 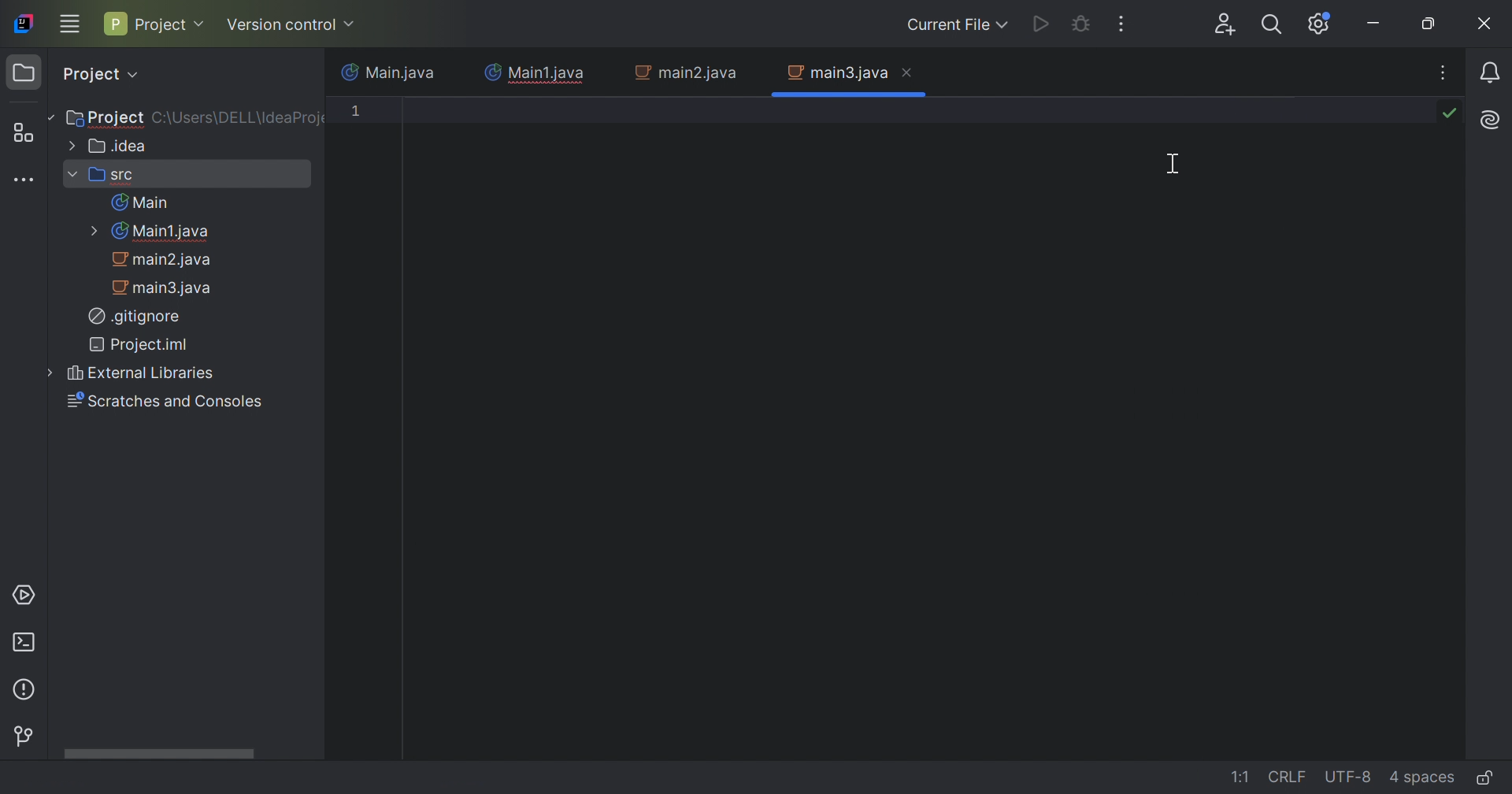 I want to click on Horizontal Scroll bar, so click(x=163, y=753).